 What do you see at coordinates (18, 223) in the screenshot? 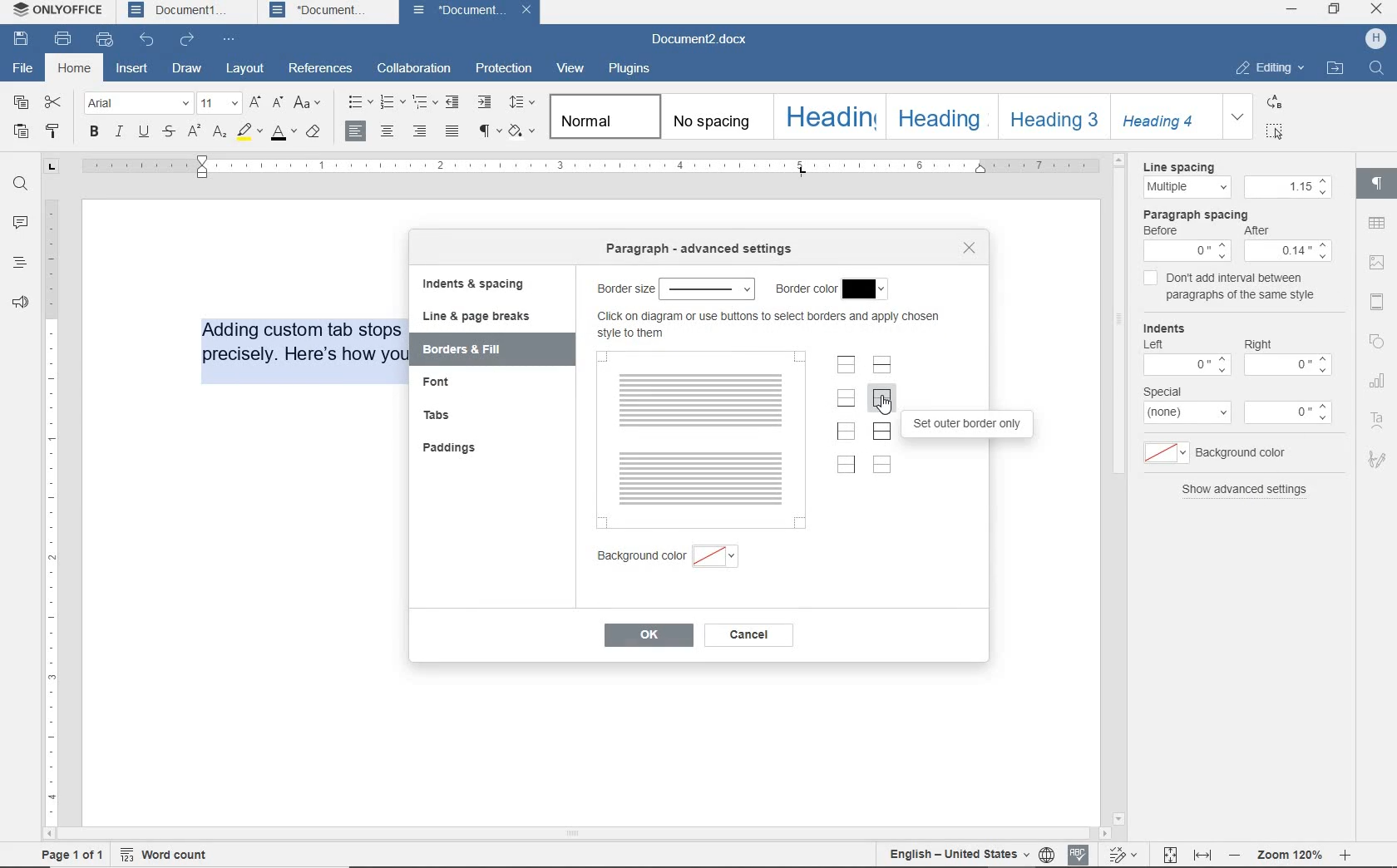
I see `comments` at bounding box center [18, 223].